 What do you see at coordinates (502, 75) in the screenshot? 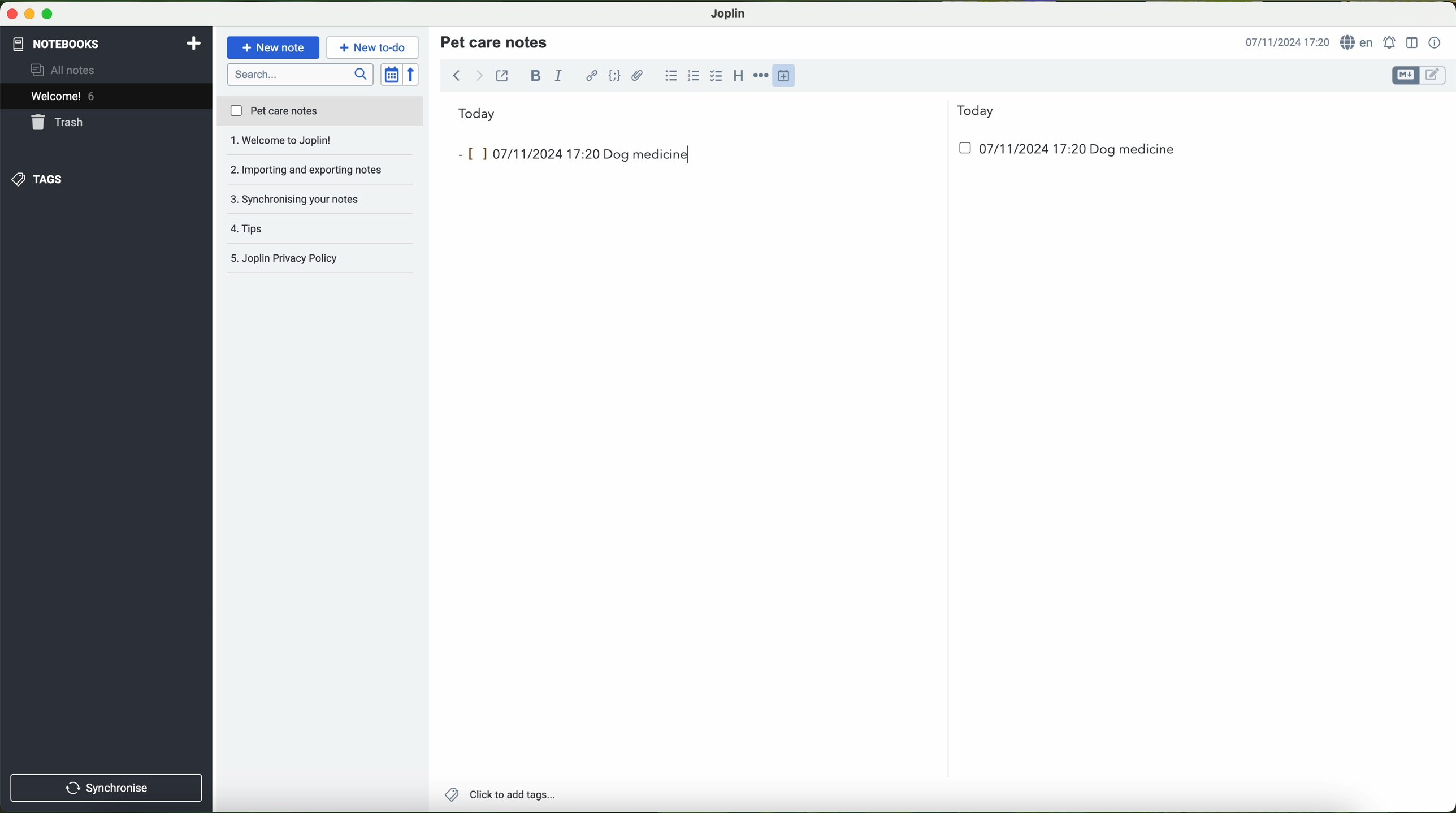
I see `toggle external editing` at bounding box center [502, 75].